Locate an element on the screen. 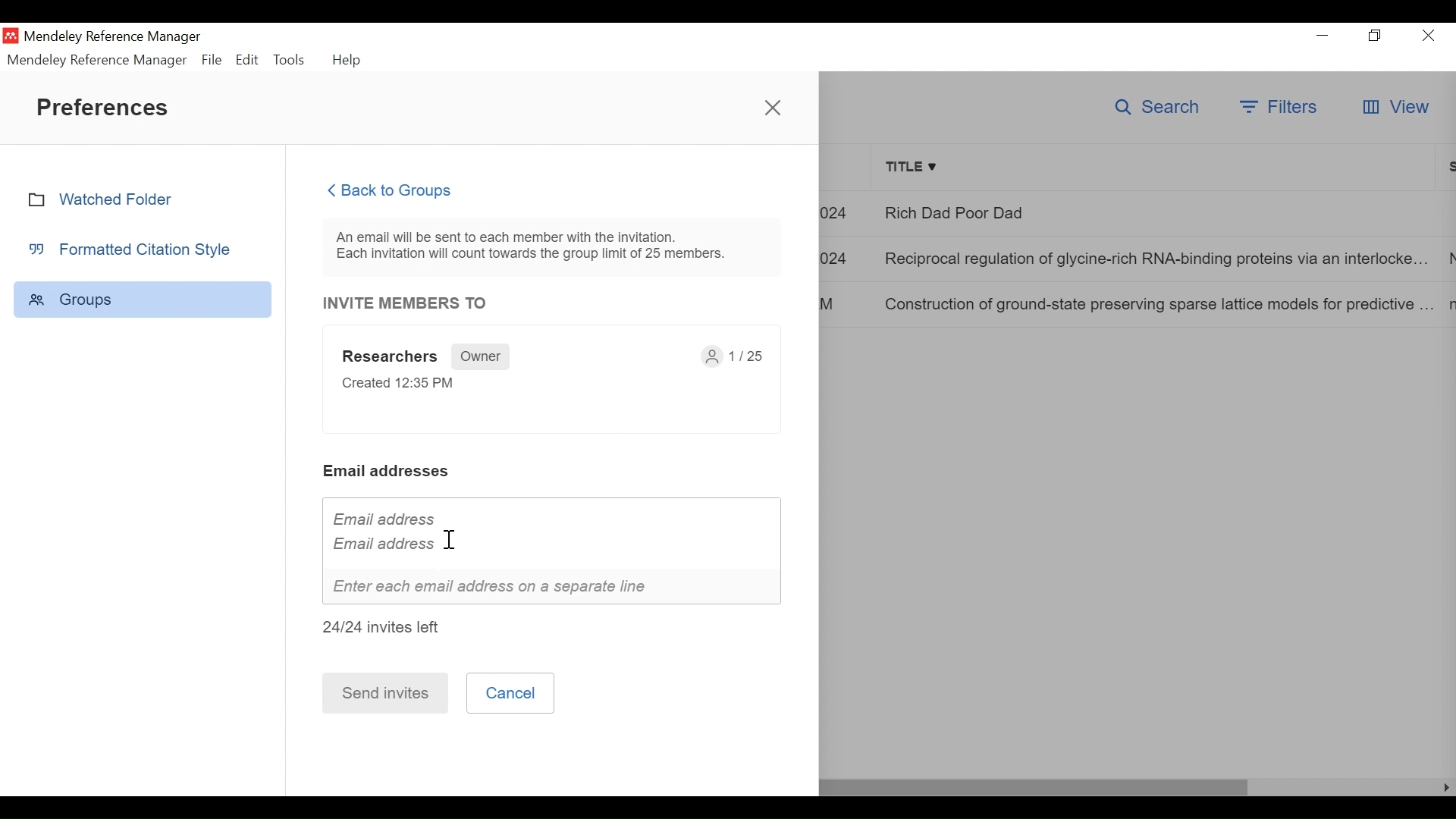 This screenshot has height=819, width=1456. Email address
Email address I
Enter each email address on a separate line is located at coordinates (549, 554).